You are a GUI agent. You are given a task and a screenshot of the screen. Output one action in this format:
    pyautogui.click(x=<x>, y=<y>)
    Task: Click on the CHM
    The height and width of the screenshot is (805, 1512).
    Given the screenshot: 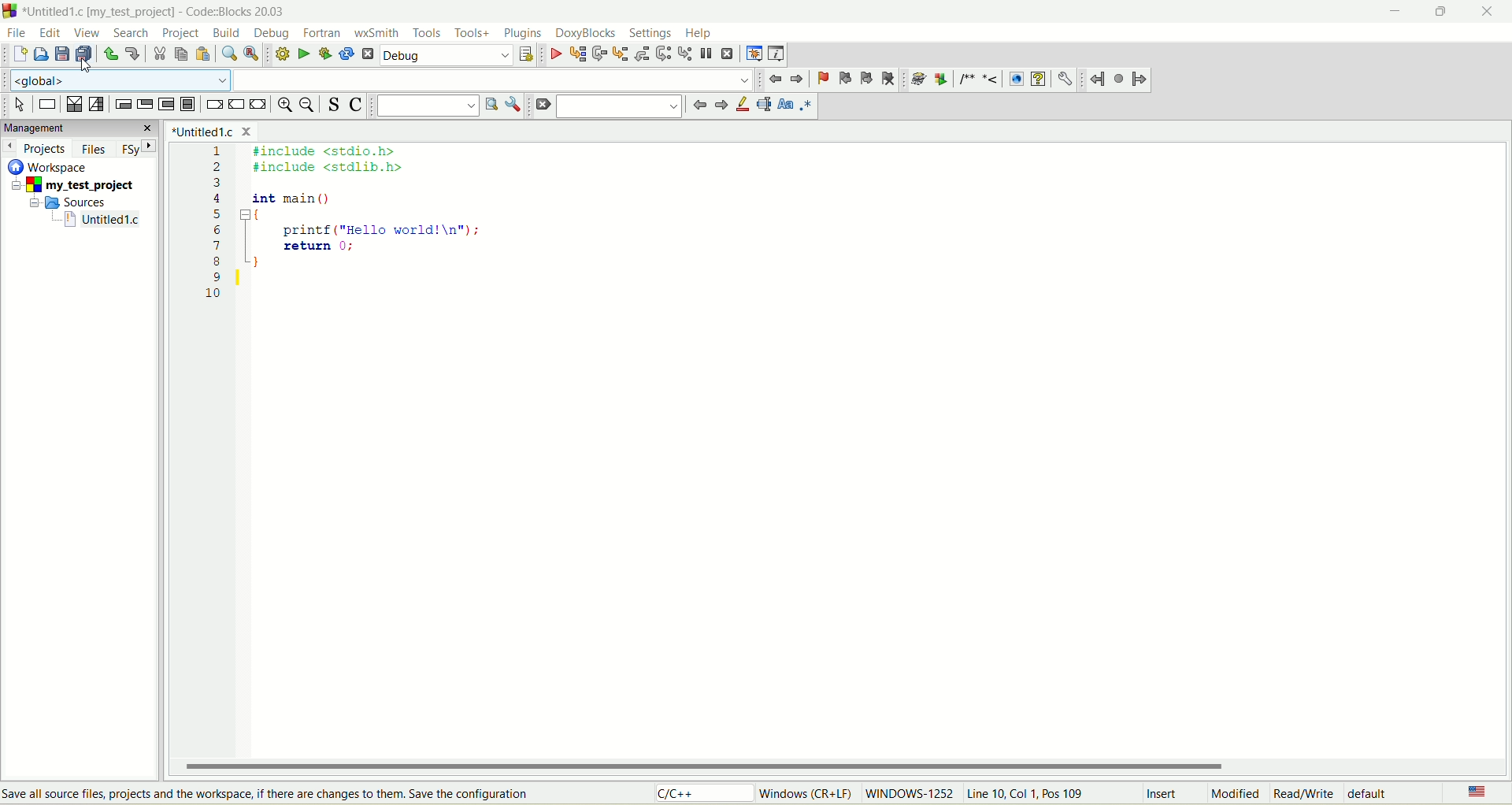 What is the action you would take?
    pyautogui.click(x=1038, y=80)
    